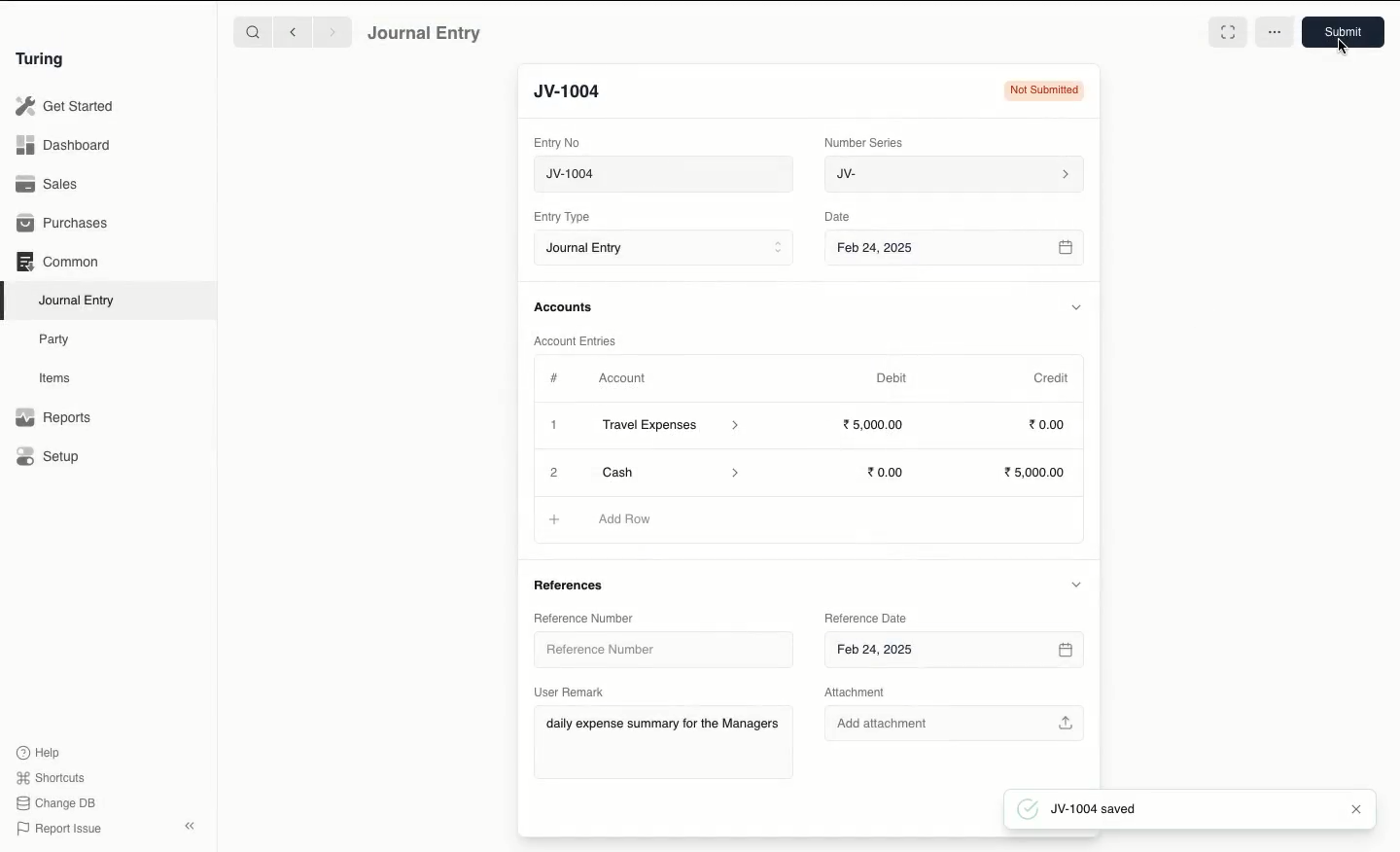 This screenshot has width=1400, height=852. What do you see at coordinates (53, 417) in the screenshot?
I see `Reports` at bounding box center [53, 417].